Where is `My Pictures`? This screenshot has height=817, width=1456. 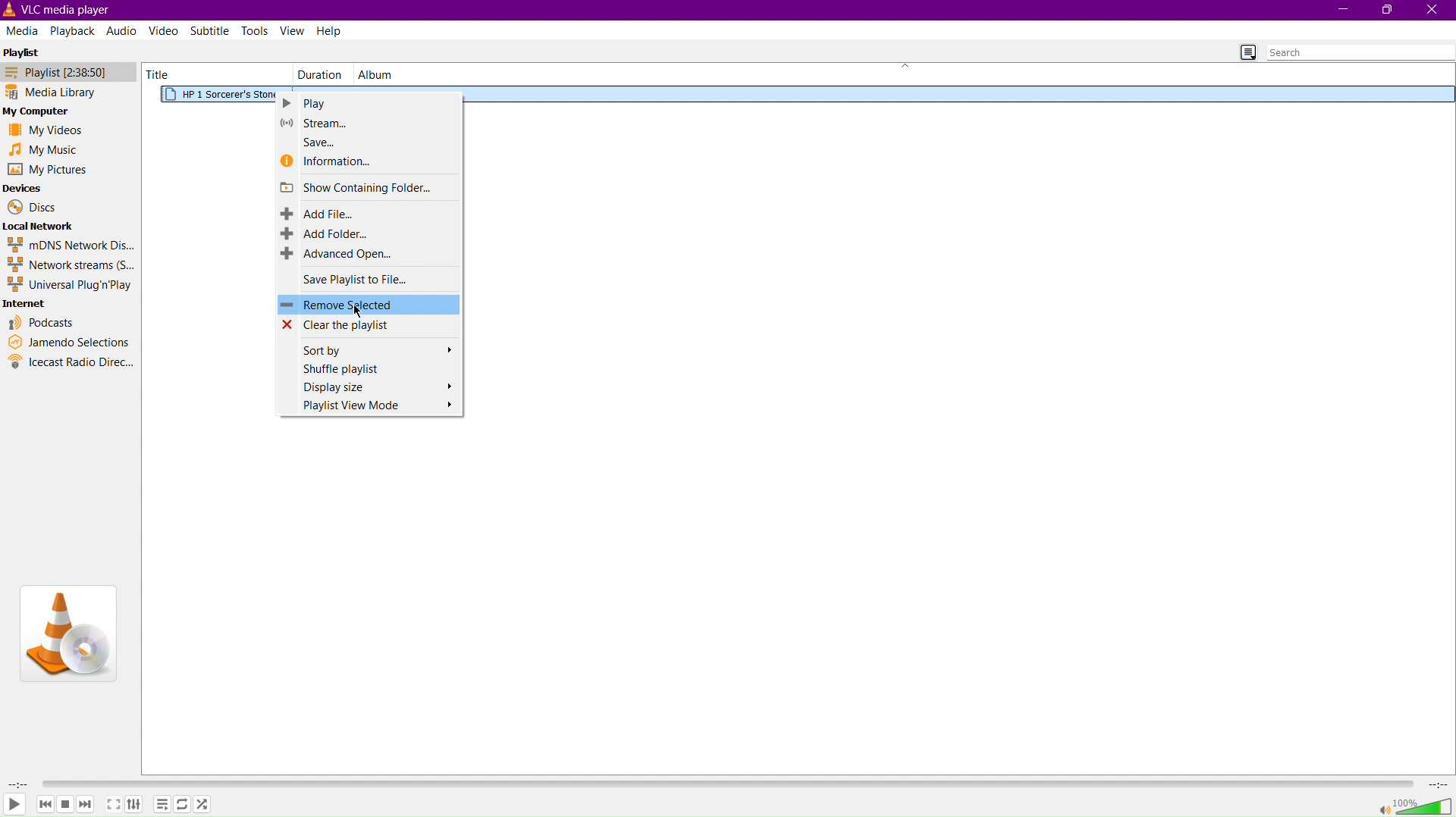
My Pictures is located at coordinates (46, 171).